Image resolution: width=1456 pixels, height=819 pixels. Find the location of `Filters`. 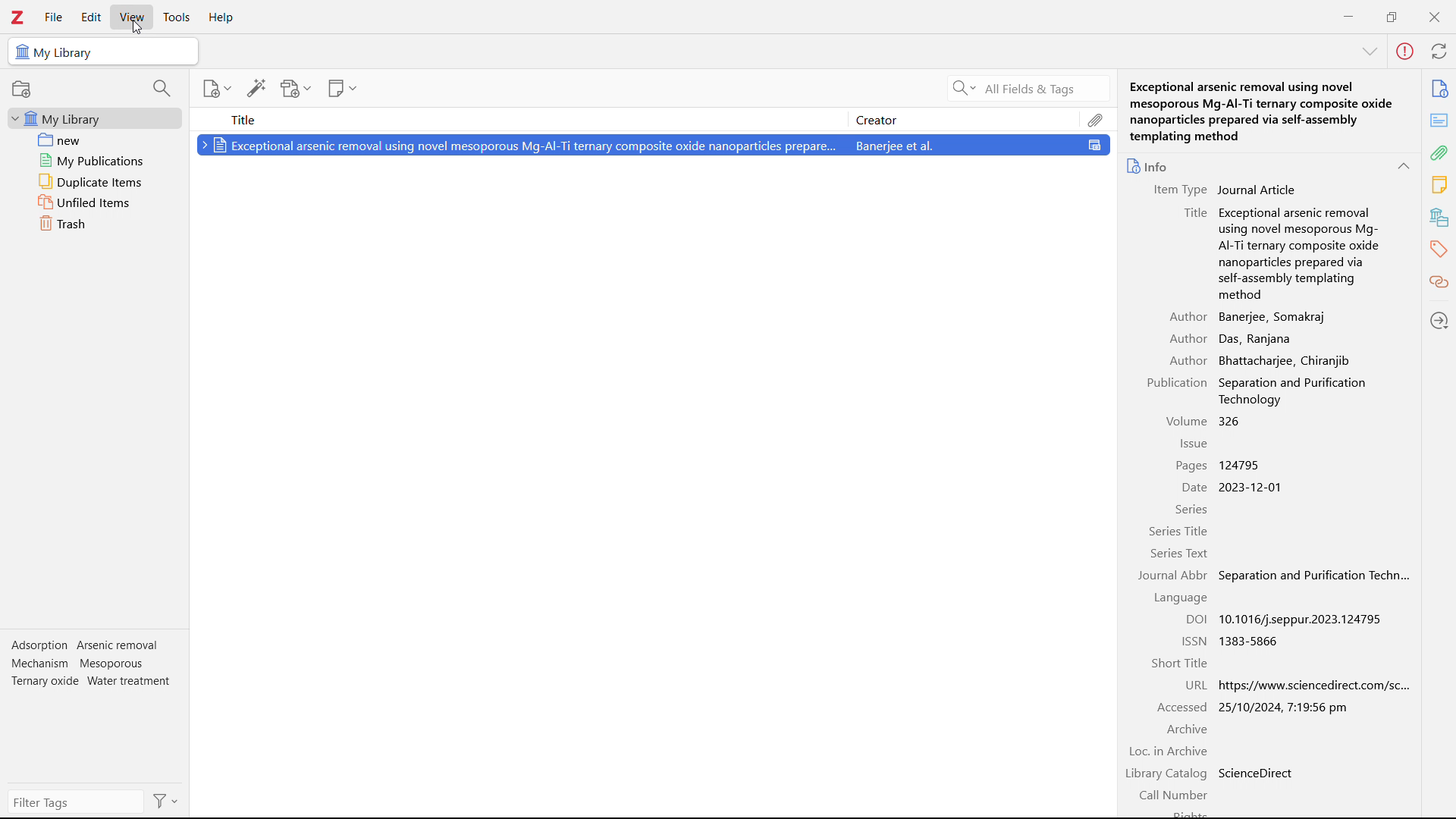

Filters is located at coordinates (166, 801).